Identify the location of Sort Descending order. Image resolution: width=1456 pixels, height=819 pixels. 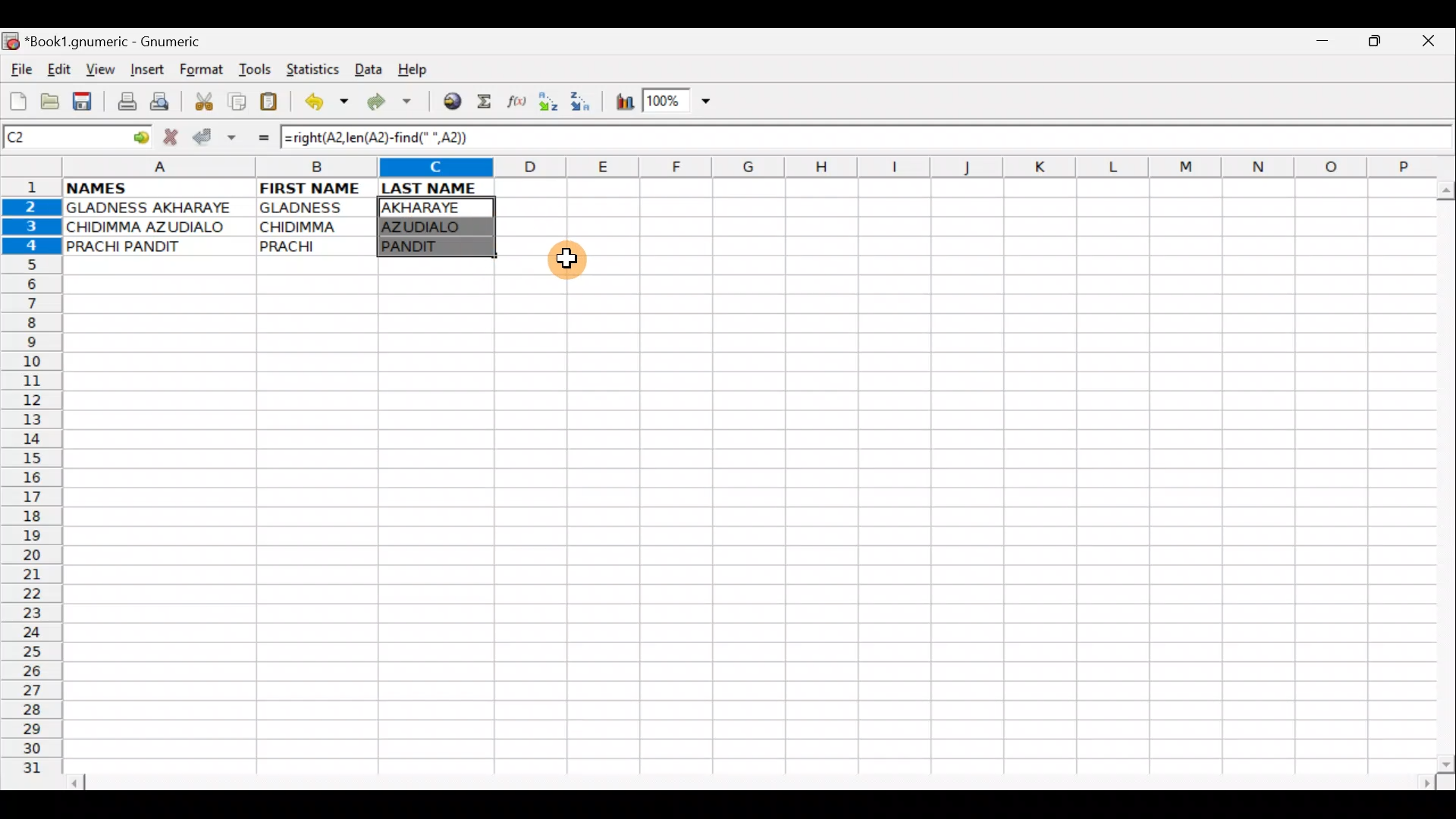
(585, 105).